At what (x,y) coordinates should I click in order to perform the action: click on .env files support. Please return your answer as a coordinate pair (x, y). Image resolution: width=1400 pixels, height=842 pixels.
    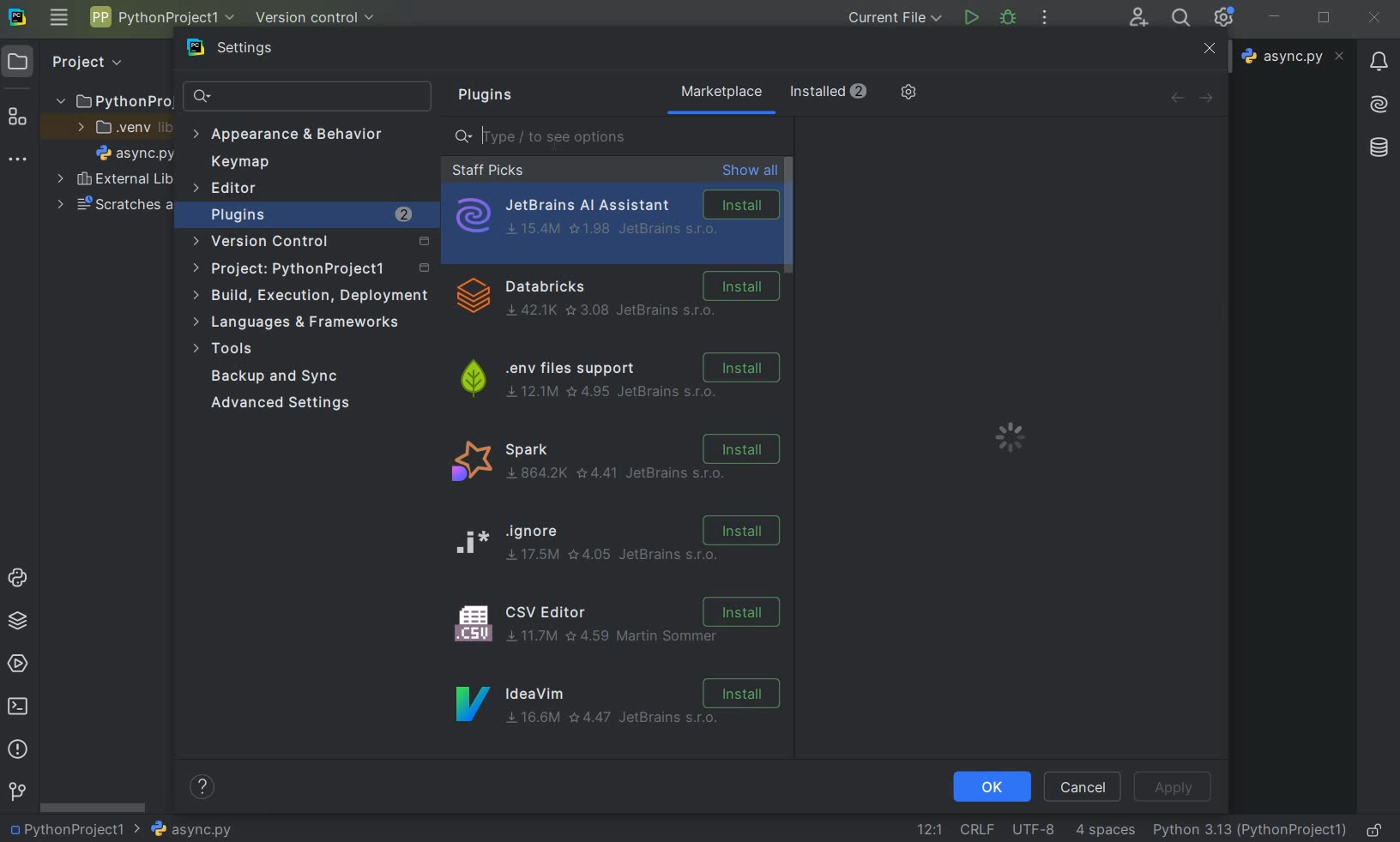
    Looking at the image, I should click on (616, 376).